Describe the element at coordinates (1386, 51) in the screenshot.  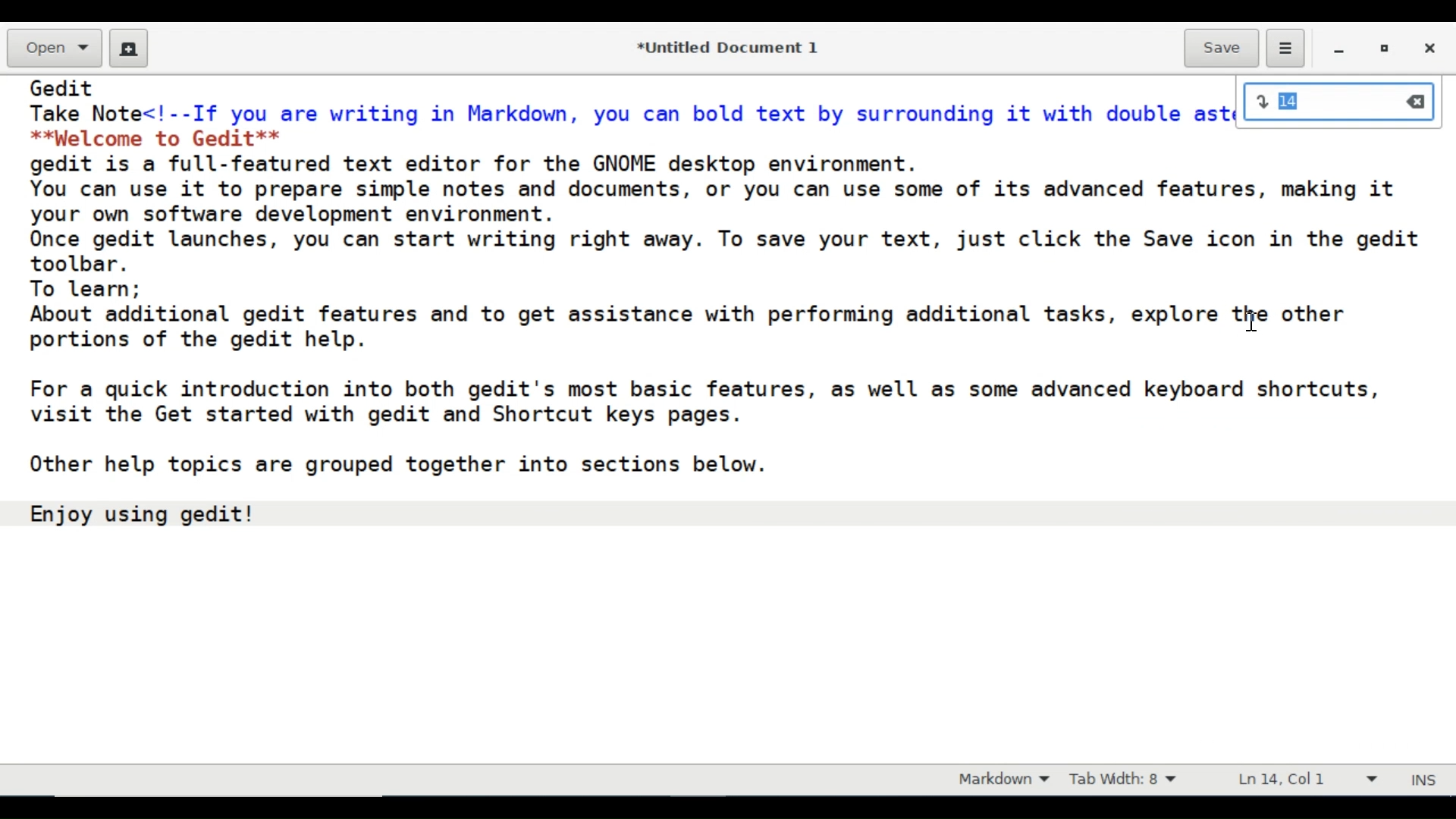
I see `restore` at that location.